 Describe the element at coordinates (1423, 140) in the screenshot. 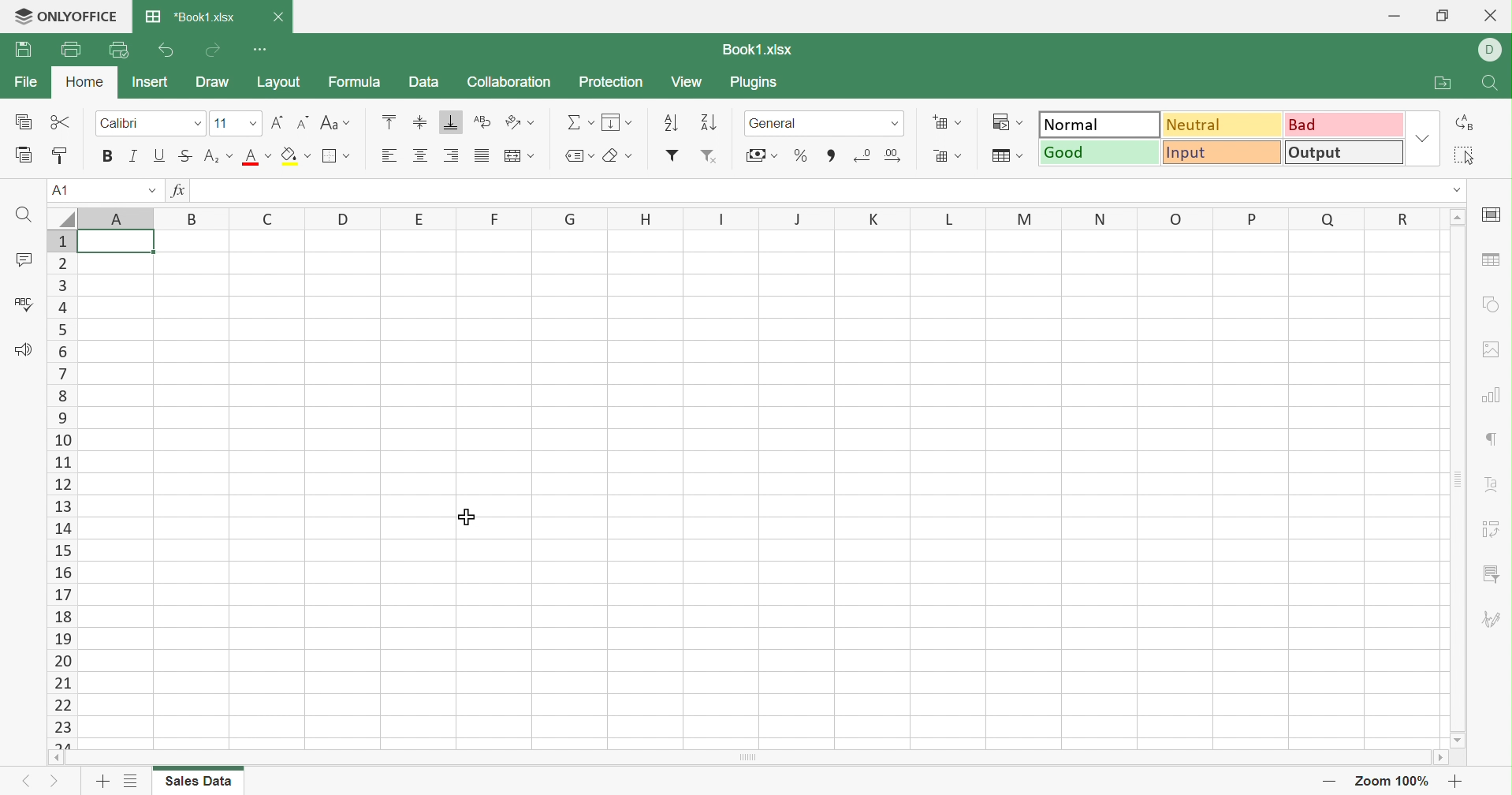

I see `Drop Down` at that location.